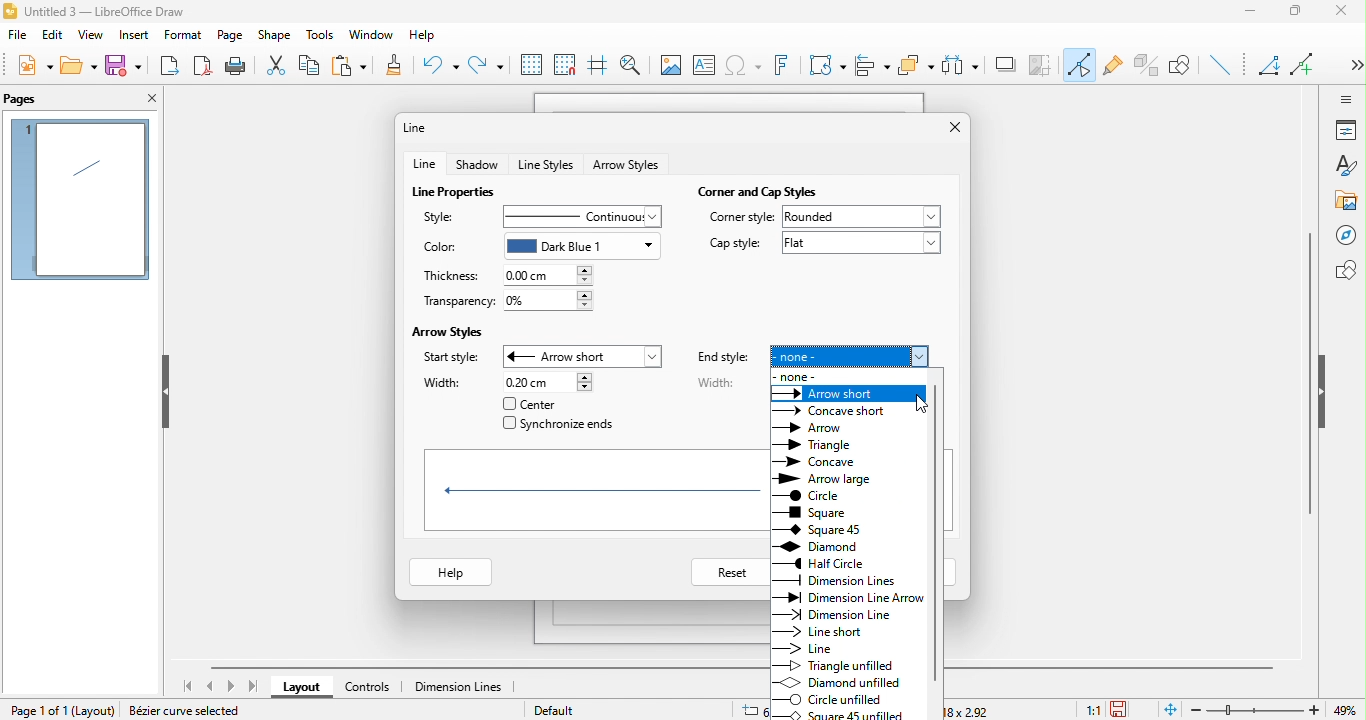  What do you see at coordinates (456, 275) in the screenshot?
I see `thickness` at bounding box center [456, 275].